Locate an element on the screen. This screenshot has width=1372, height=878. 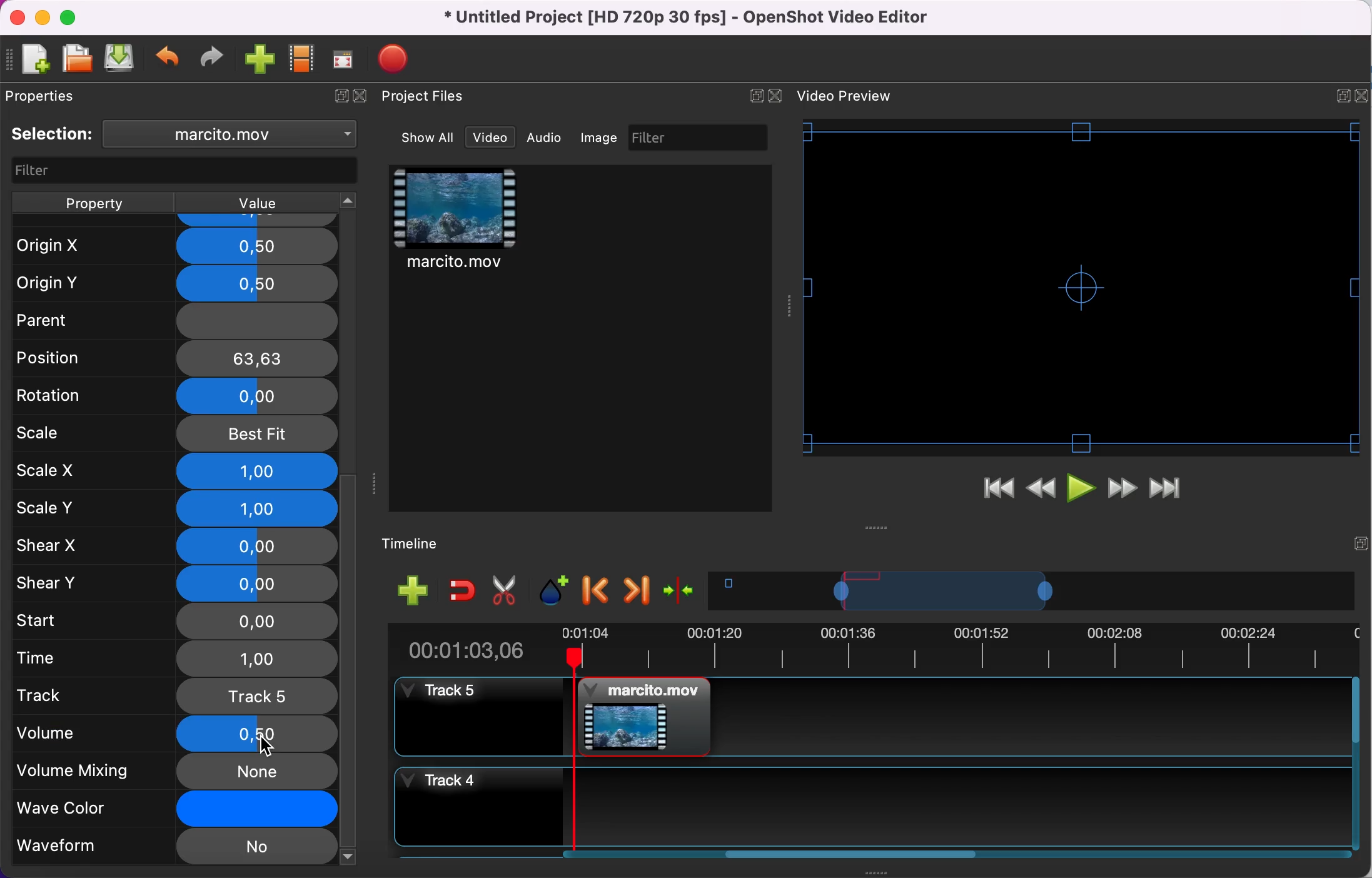
export file is located at coordinates (400, 59).